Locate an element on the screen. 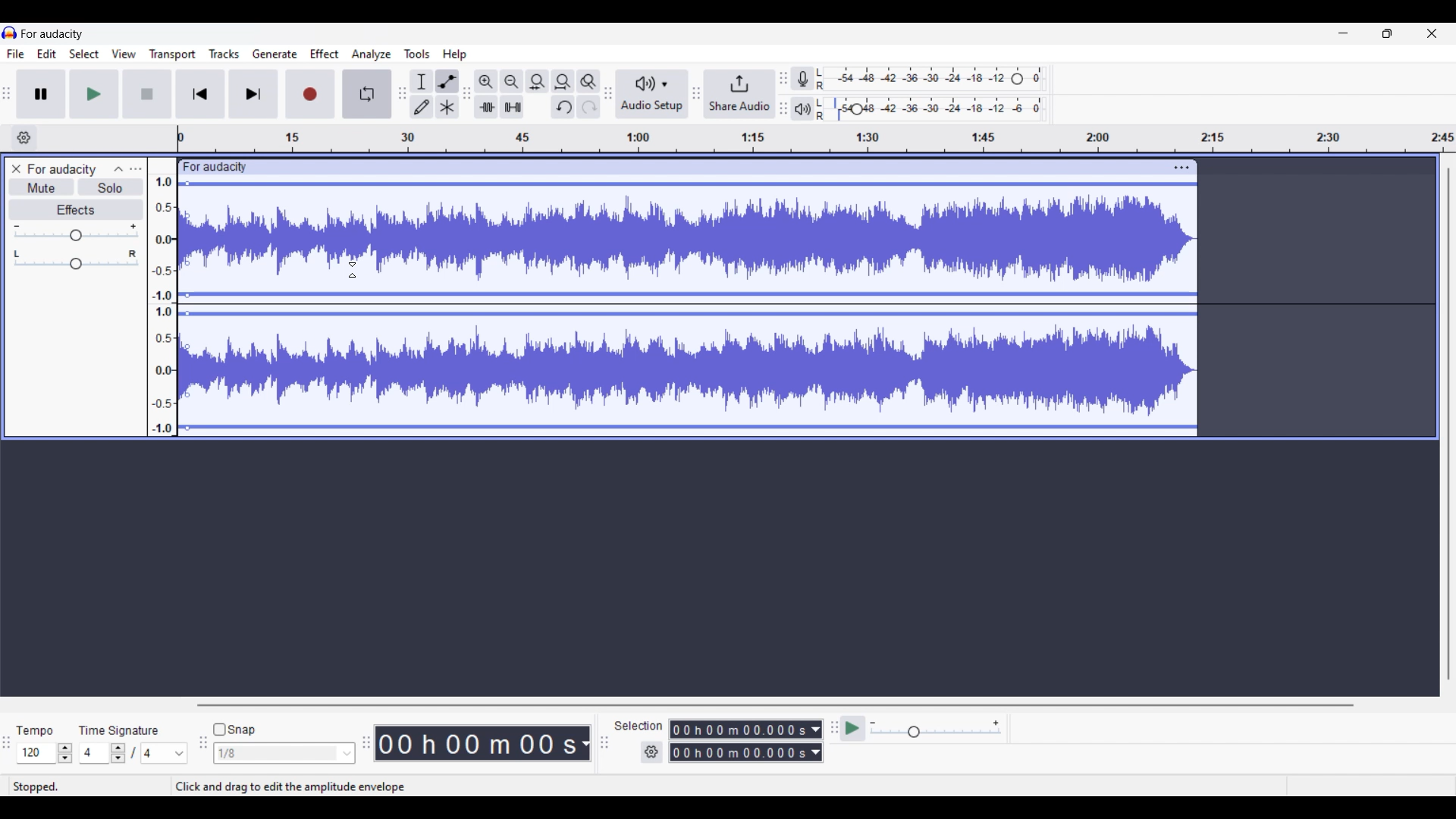 This screenshot has height=819, width=1456. Settings is located at coordinates (652, 752).